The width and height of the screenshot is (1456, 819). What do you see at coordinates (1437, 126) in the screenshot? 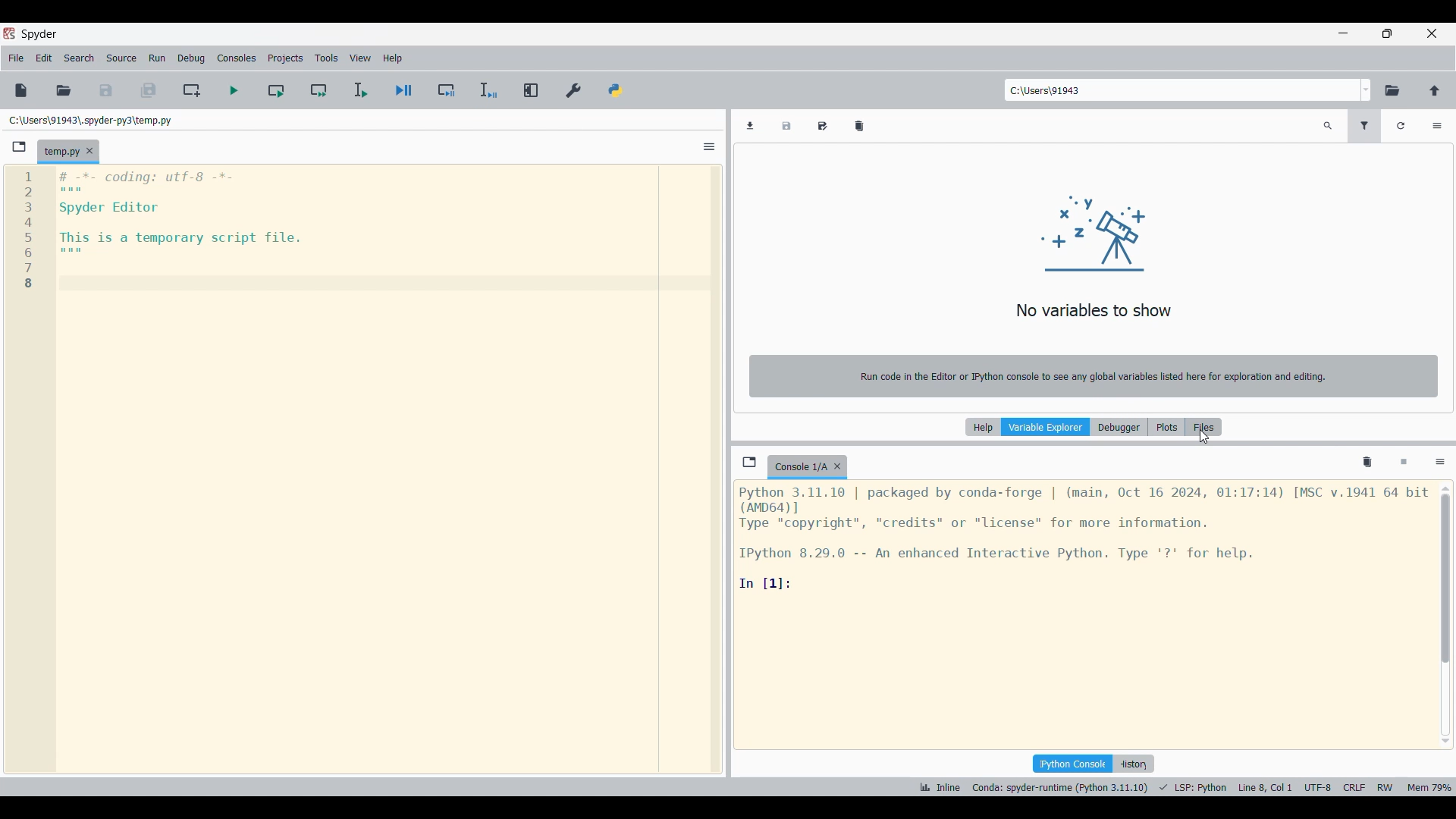
I see `Options` at bounding box center [1437, 126].